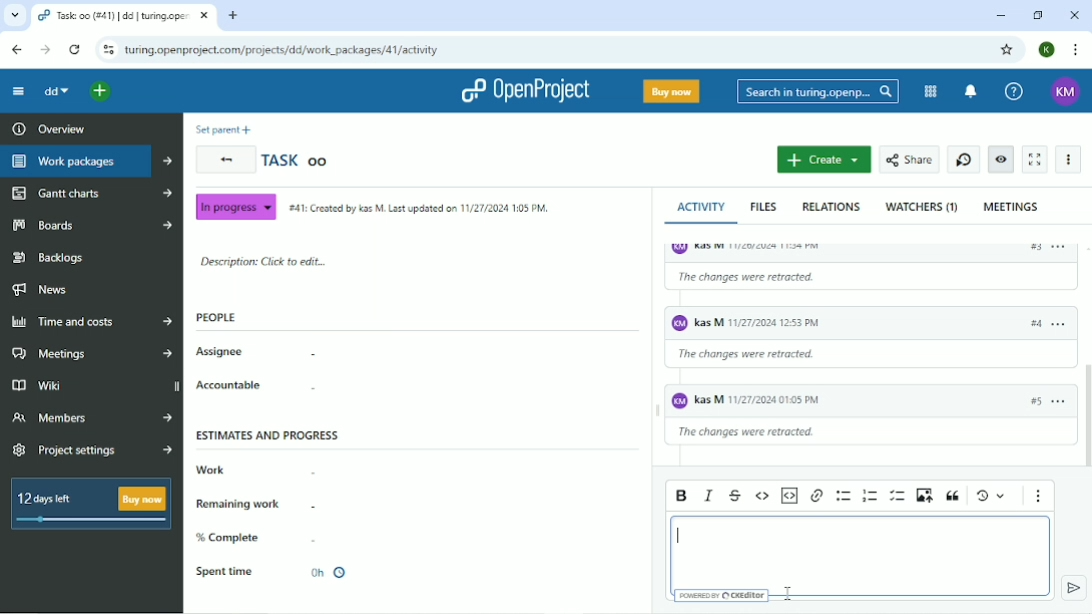  I want to click on #2, so click(1033, 251).